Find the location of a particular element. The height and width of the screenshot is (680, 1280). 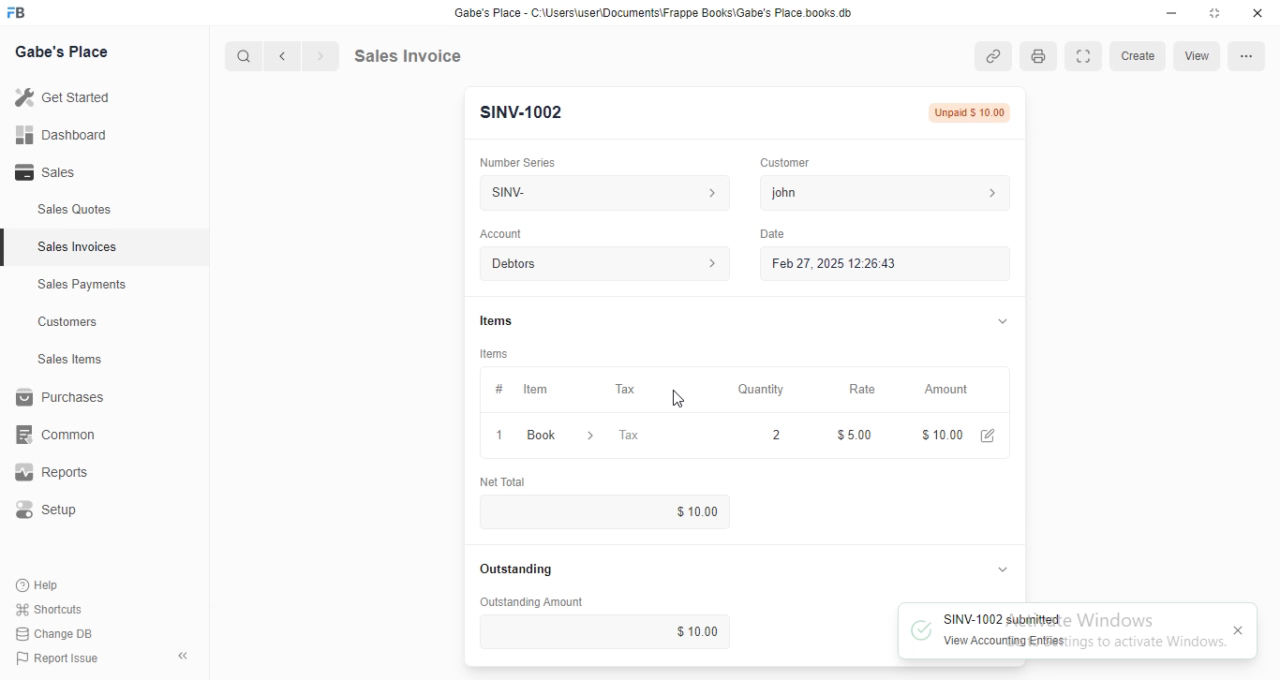

Date is located at coordinates (770, 232).